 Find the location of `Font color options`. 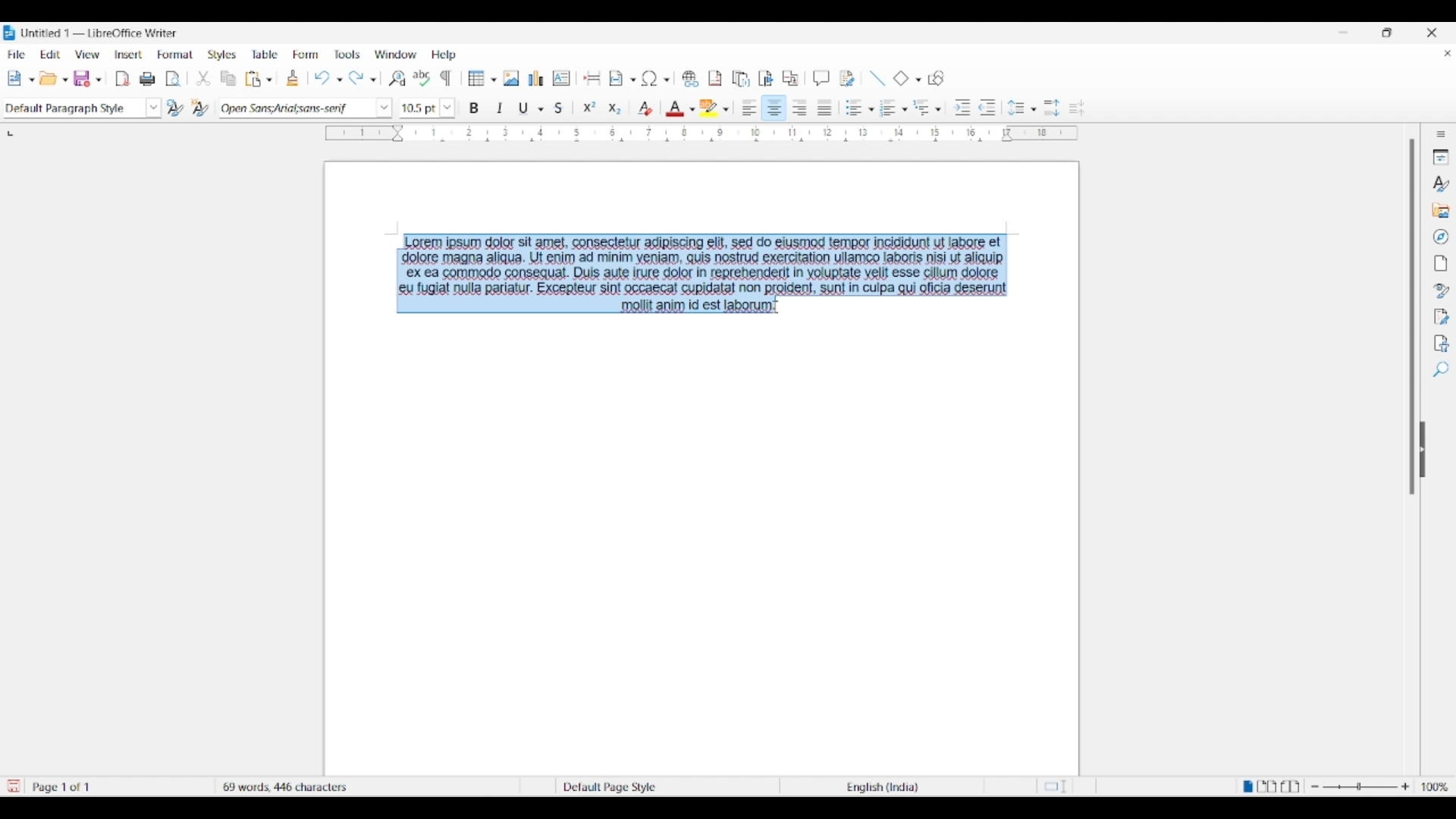

Font color options is located at coordinates (692, 109).